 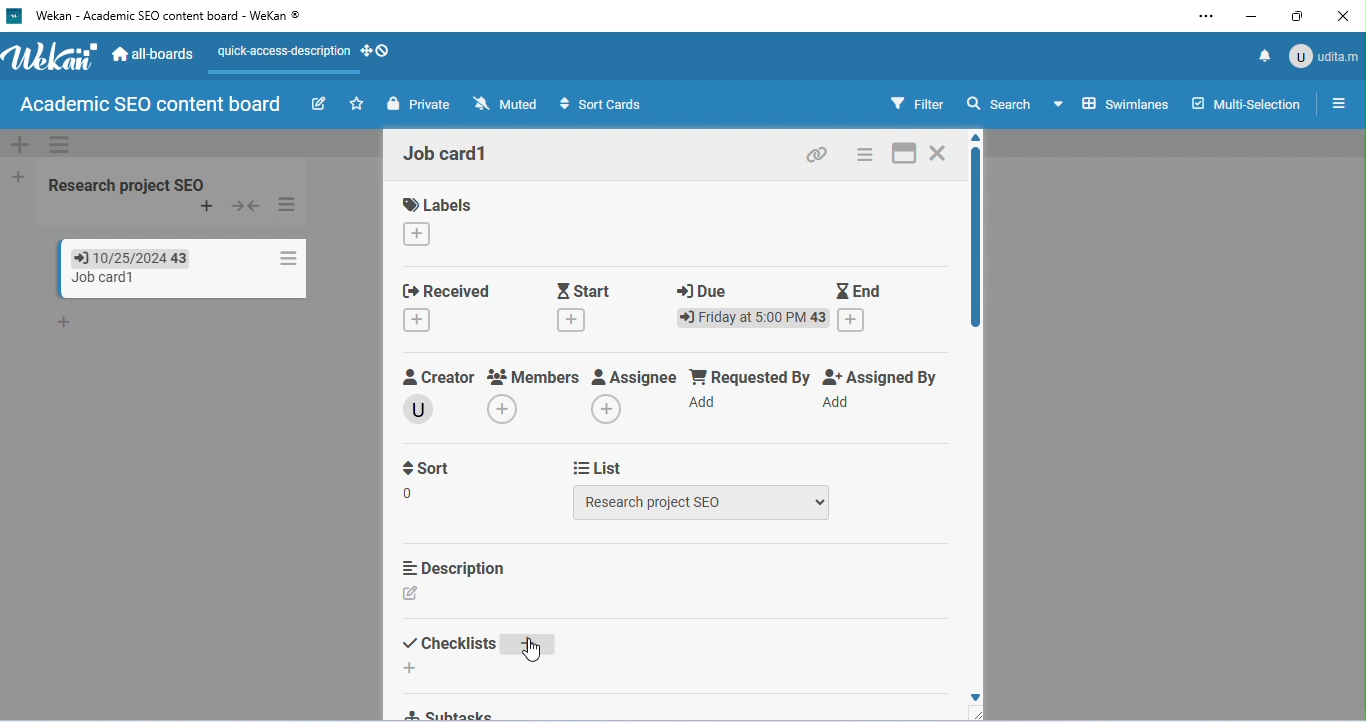 I want to click on all-boards, so click(x=153, y=53).